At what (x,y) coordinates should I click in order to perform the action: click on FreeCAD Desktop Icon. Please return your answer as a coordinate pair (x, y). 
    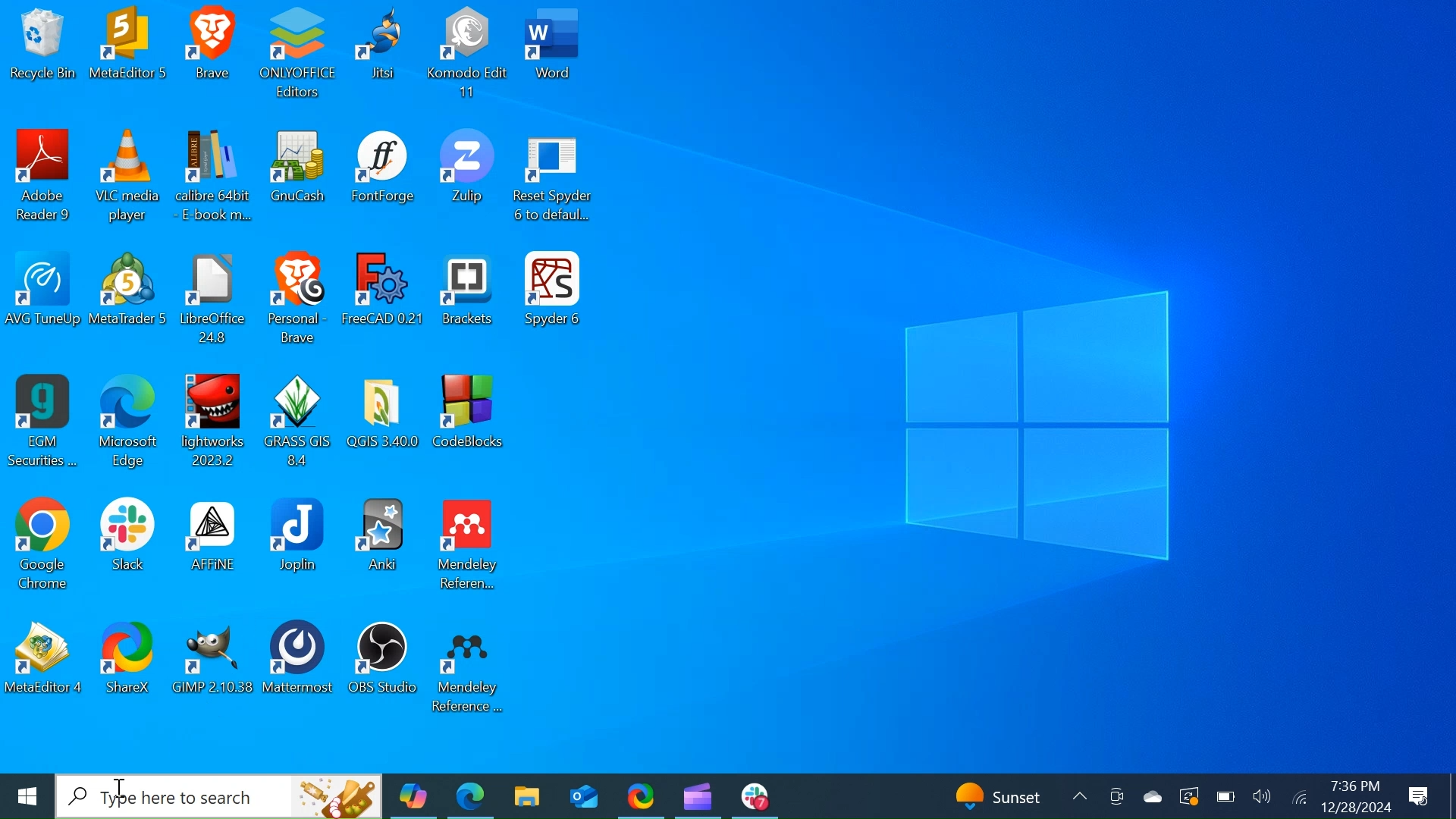
    Looking at the image, I should click on (381, 299).